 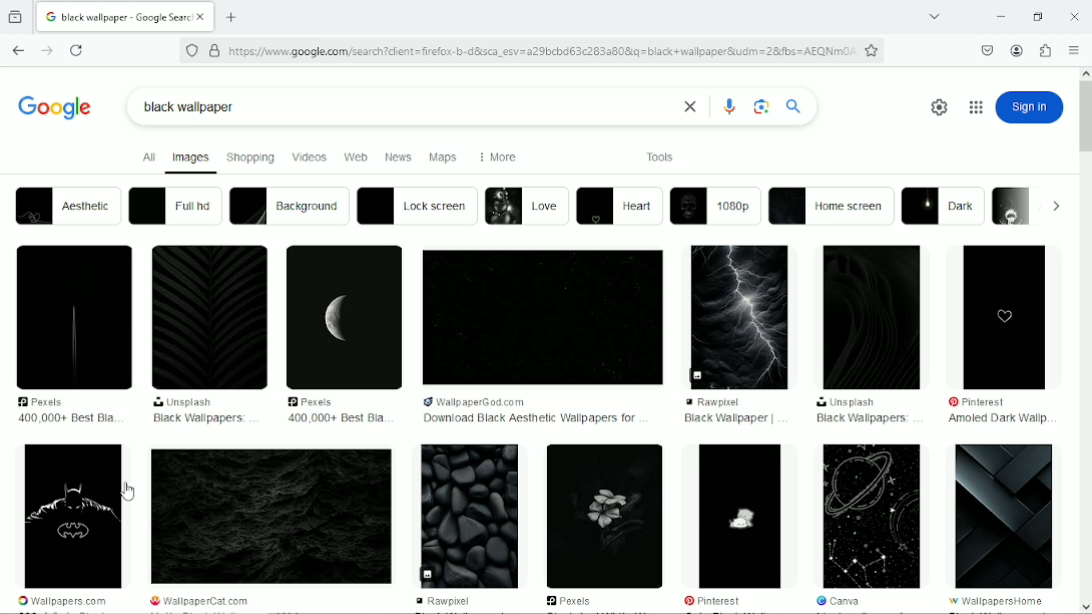 I want to click on images, so click(x=191, y=160).